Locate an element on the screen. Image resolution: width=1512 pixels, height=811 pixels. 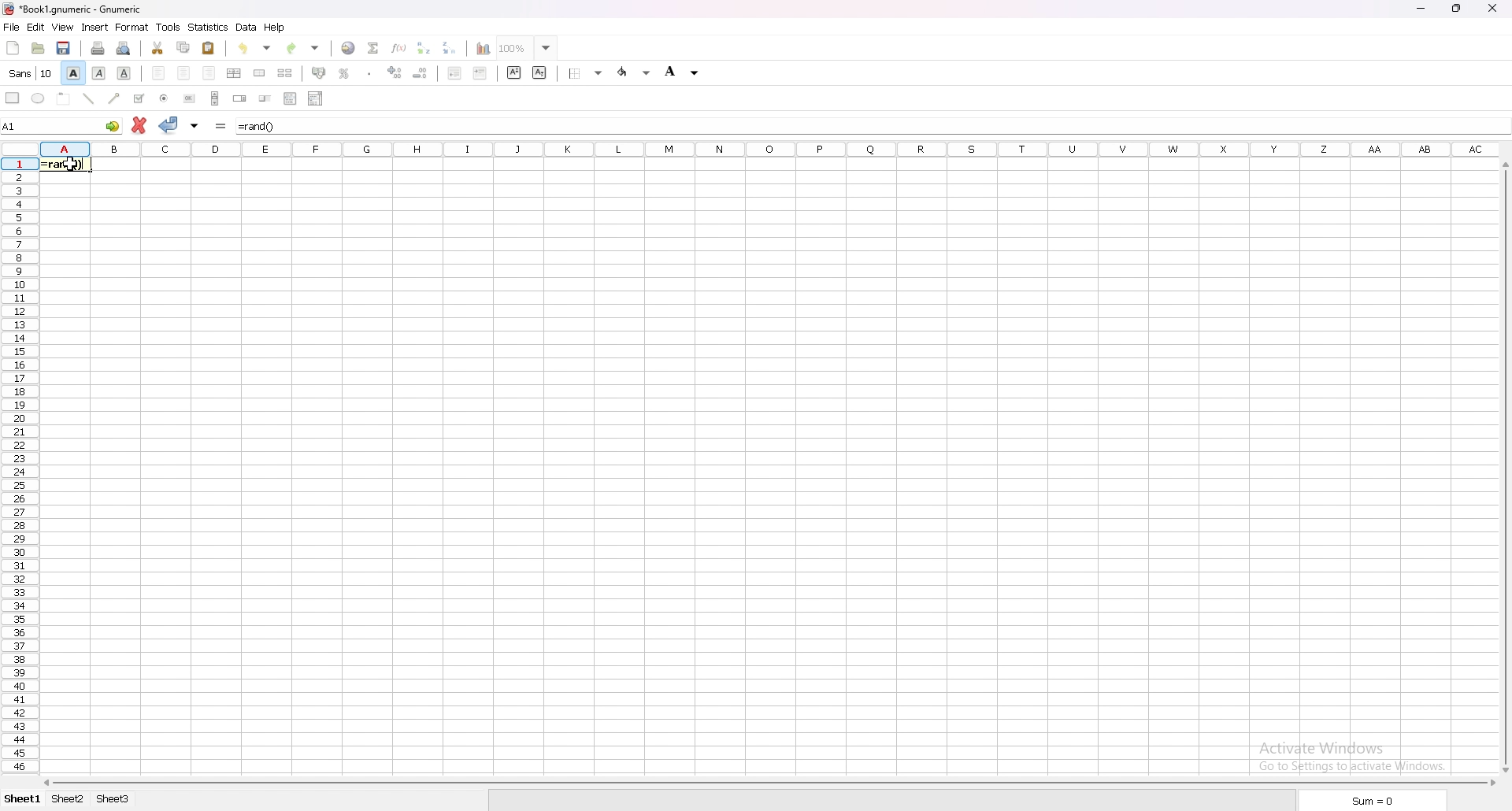
sort descending is located at coordinates (449, 47).